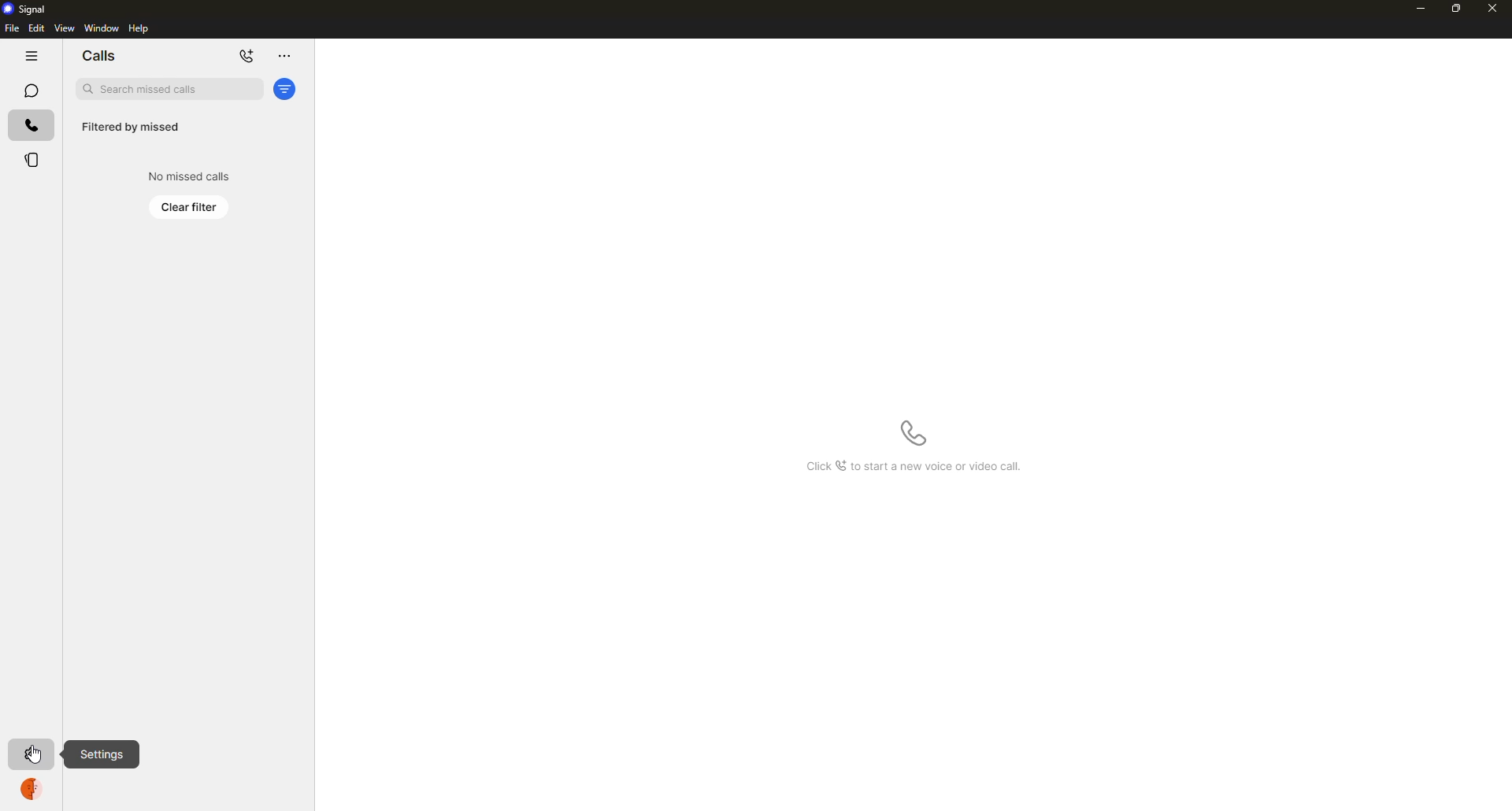 The image size is (1512, 811). Describe the element at coordinates (33, 160) in the screenshot. I see `stories` at that location.